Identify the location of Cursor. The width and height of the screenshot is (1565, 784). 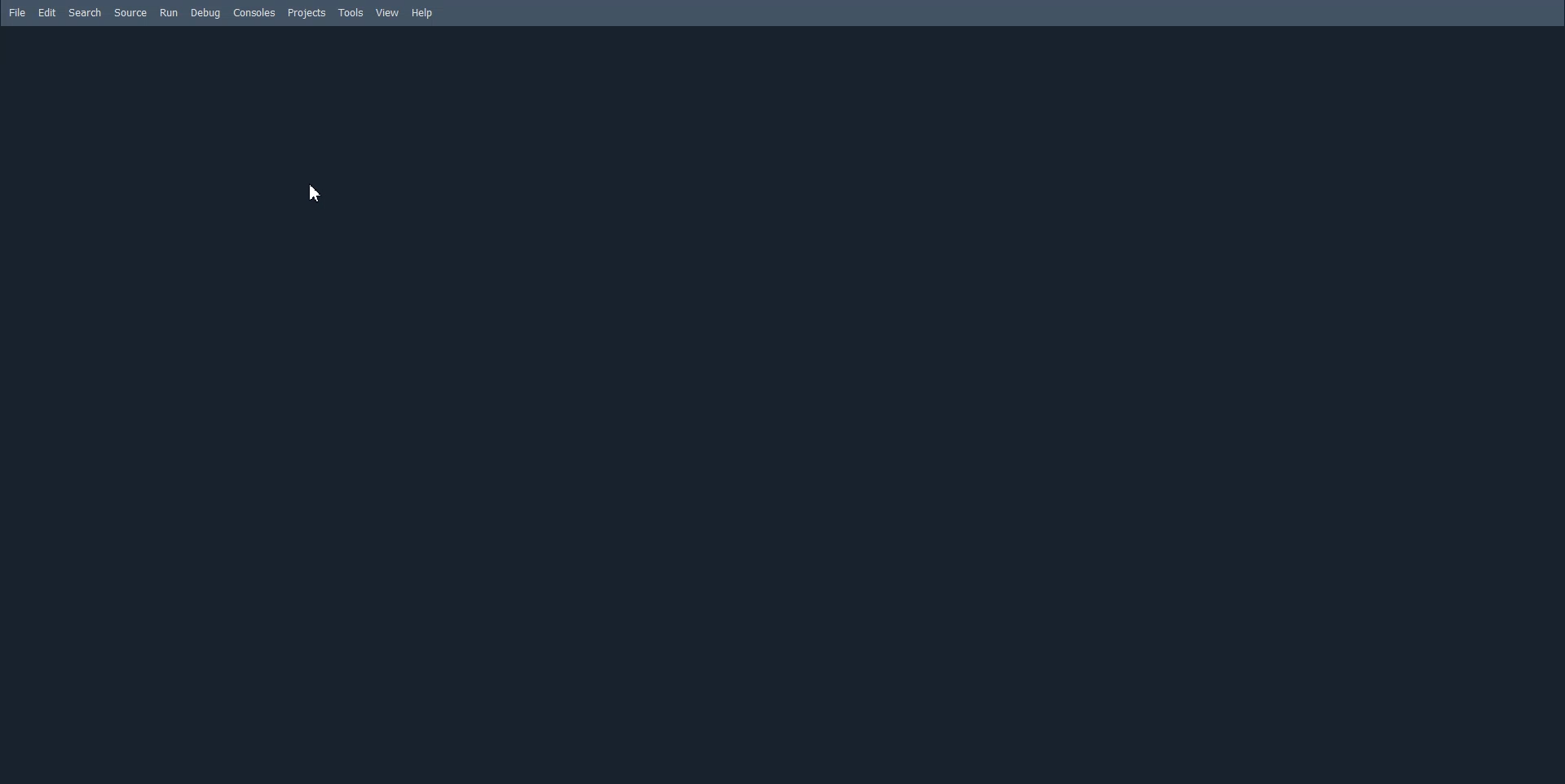
(312, 192).